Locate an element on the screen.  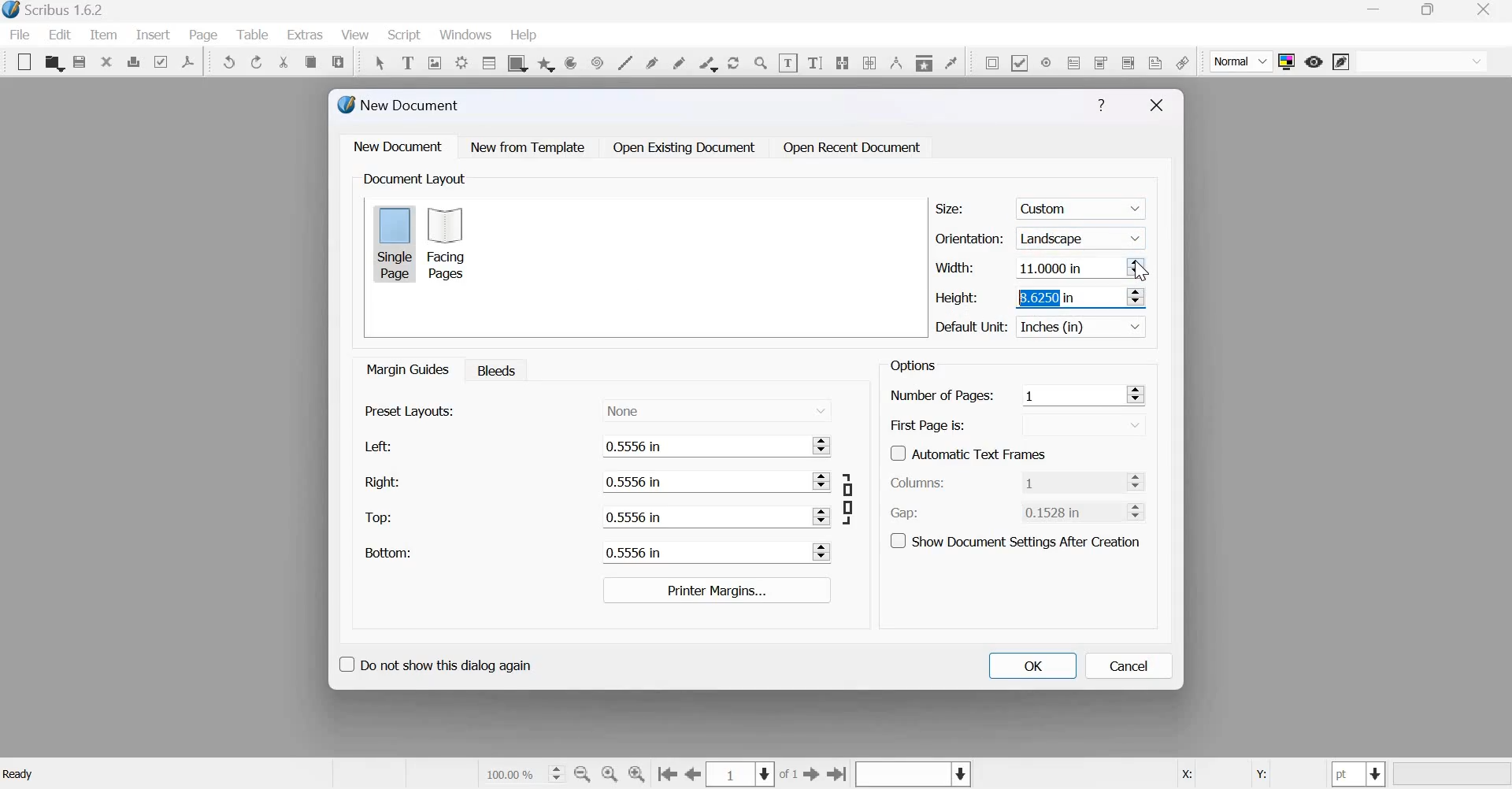
8.6250 in is located at coordinates (1064, 297).